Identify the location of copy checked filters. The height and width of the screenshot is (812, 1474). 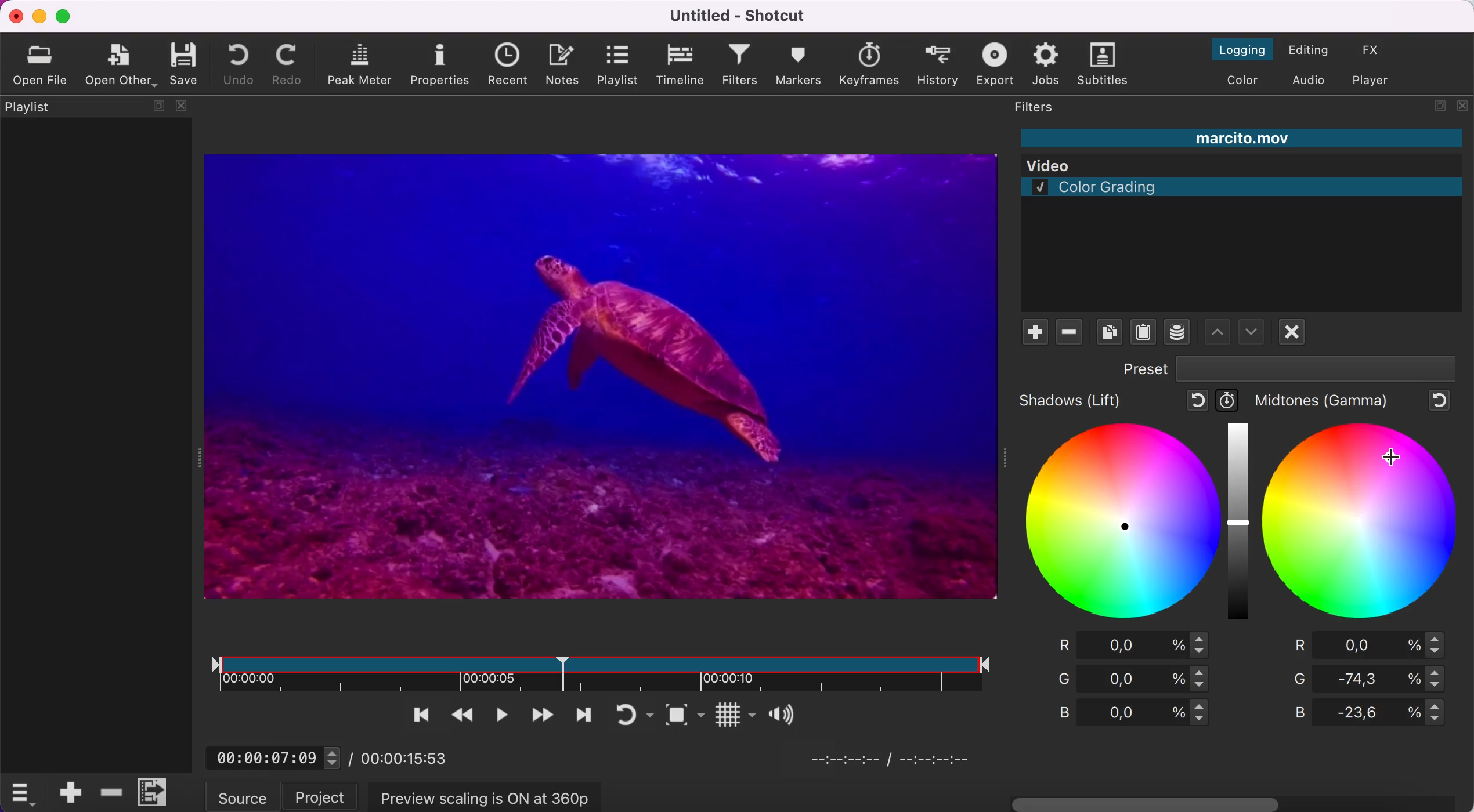
(1108, 334).